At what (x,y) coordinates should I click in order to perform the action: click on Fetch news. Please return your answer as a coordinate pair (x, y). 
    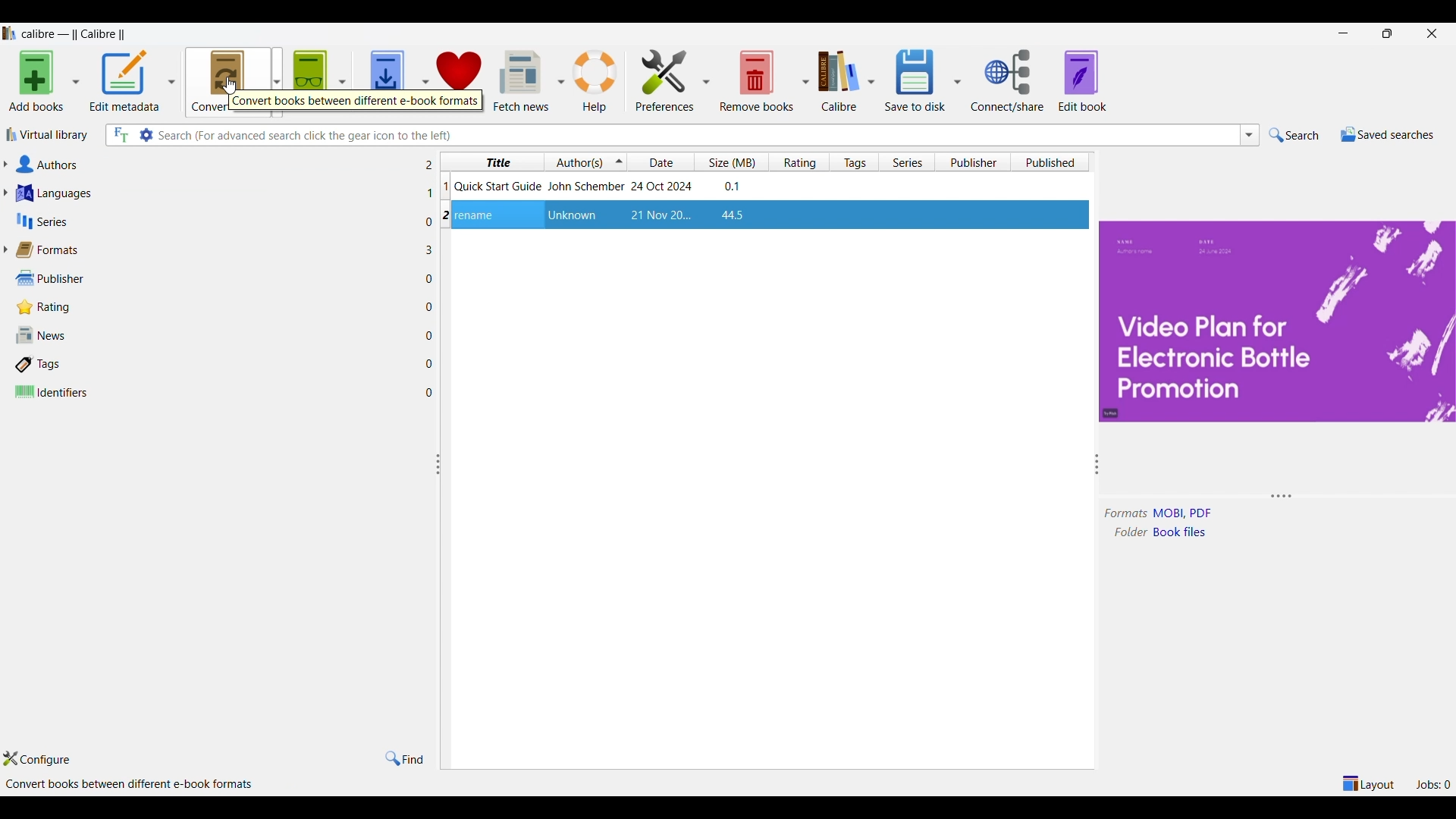
    Looking at the image, I should click on (520, 81).